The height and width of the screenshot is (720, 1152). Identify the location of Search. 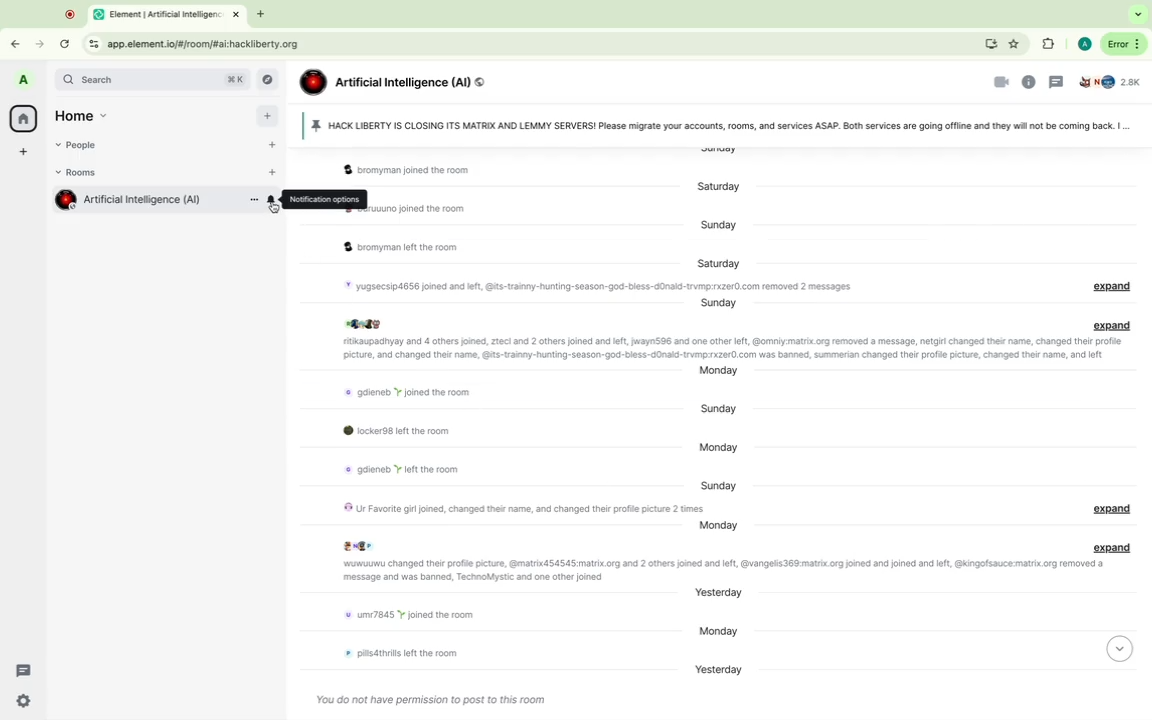
(153, 81).